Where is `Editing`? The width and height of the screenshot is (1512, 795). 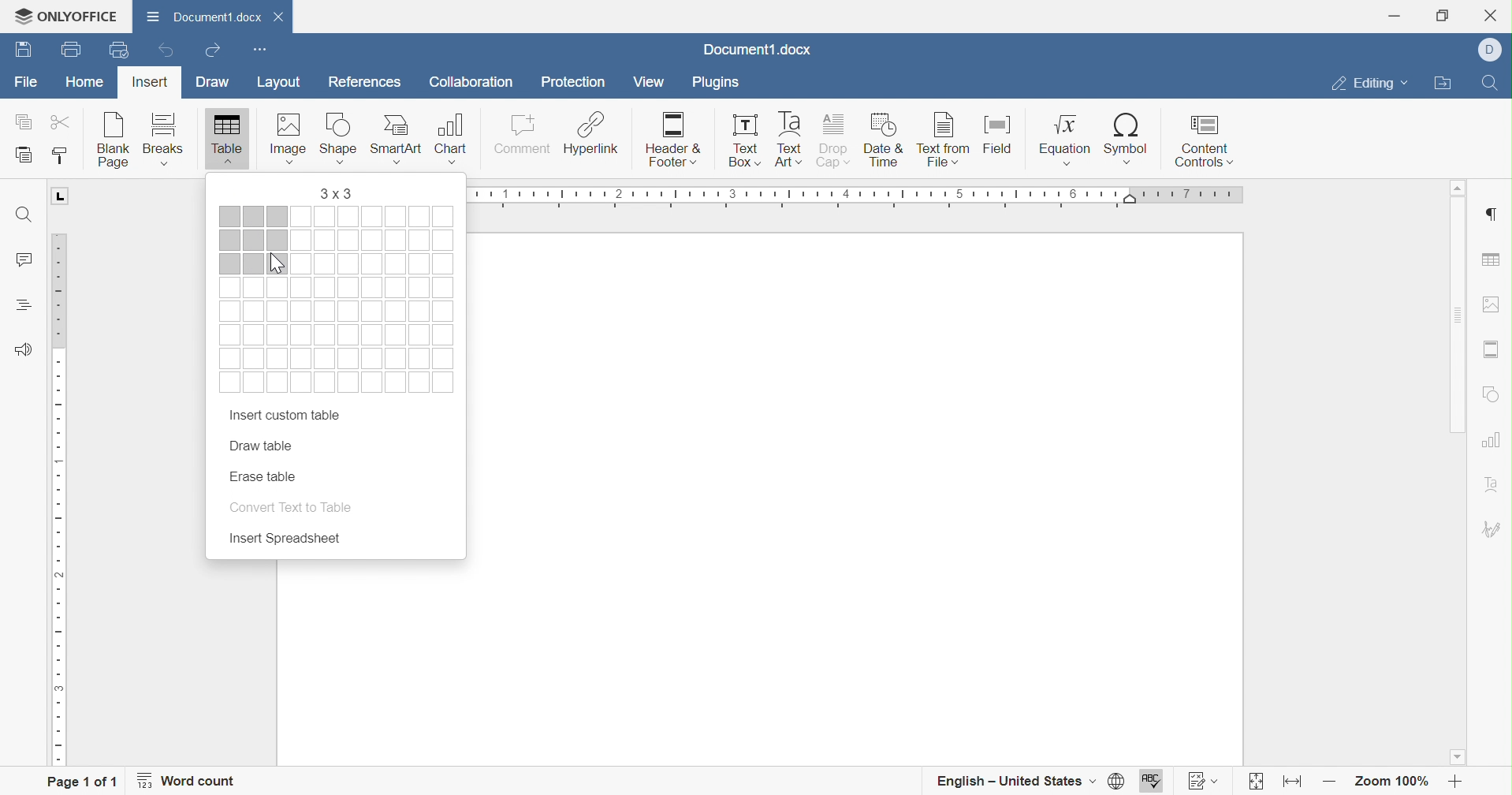 Editing is located at coordinates (1368, 84).